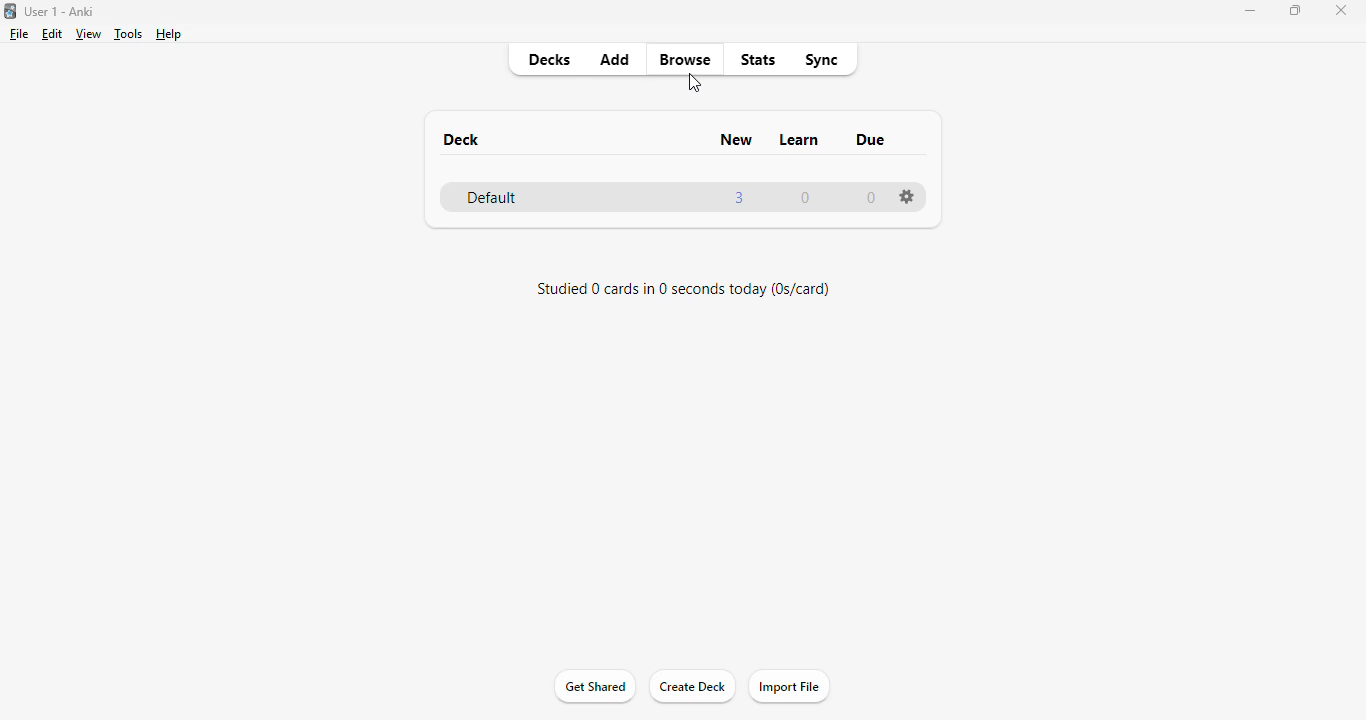 This screenshot has width=1366, height=720. Describe the element at coordinates (1250, 11) in the screenshot. I see `minimize` at that location.